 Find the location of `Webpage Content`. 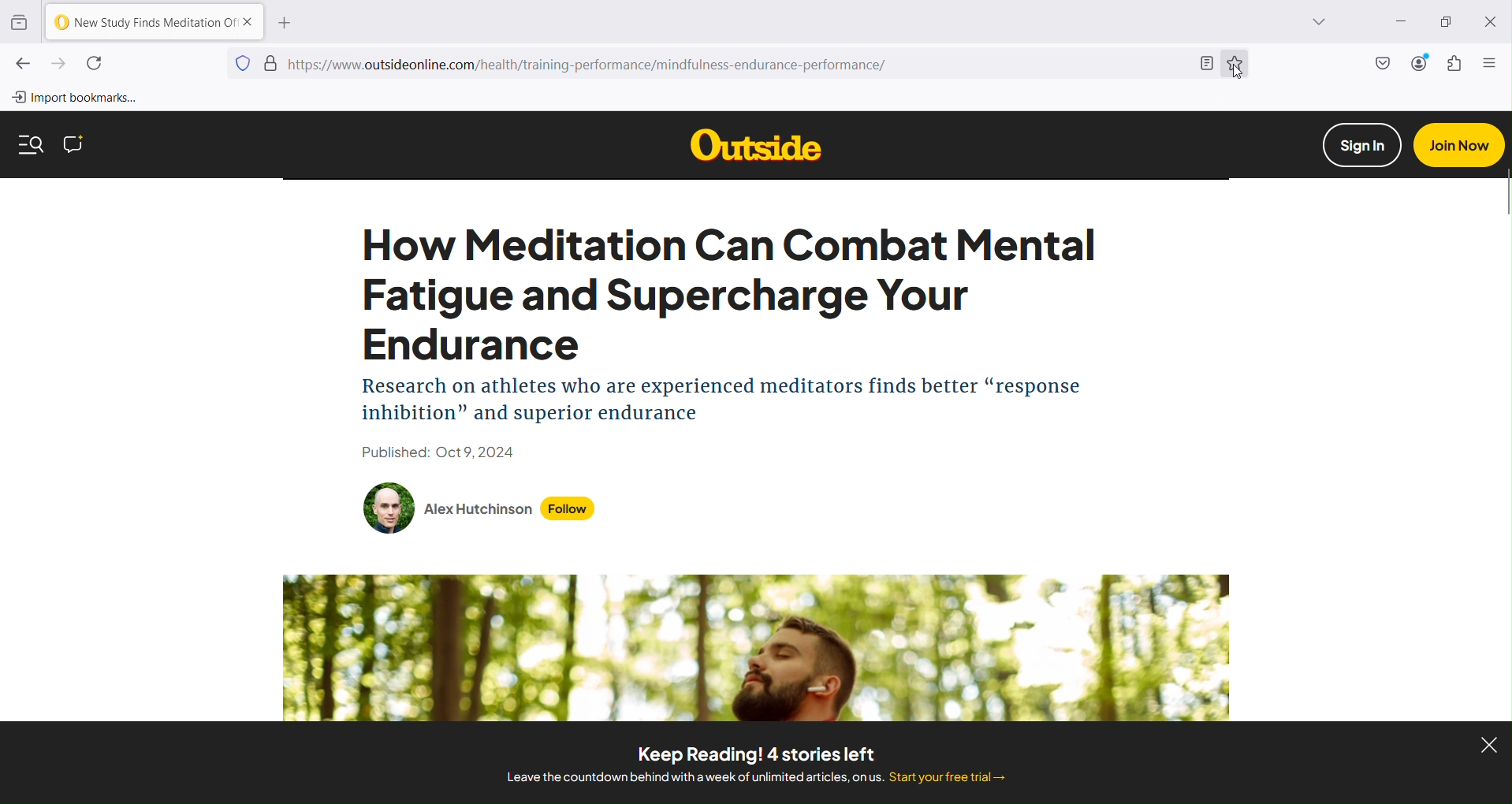

Webpage Content is located at coordinates (731, 345).